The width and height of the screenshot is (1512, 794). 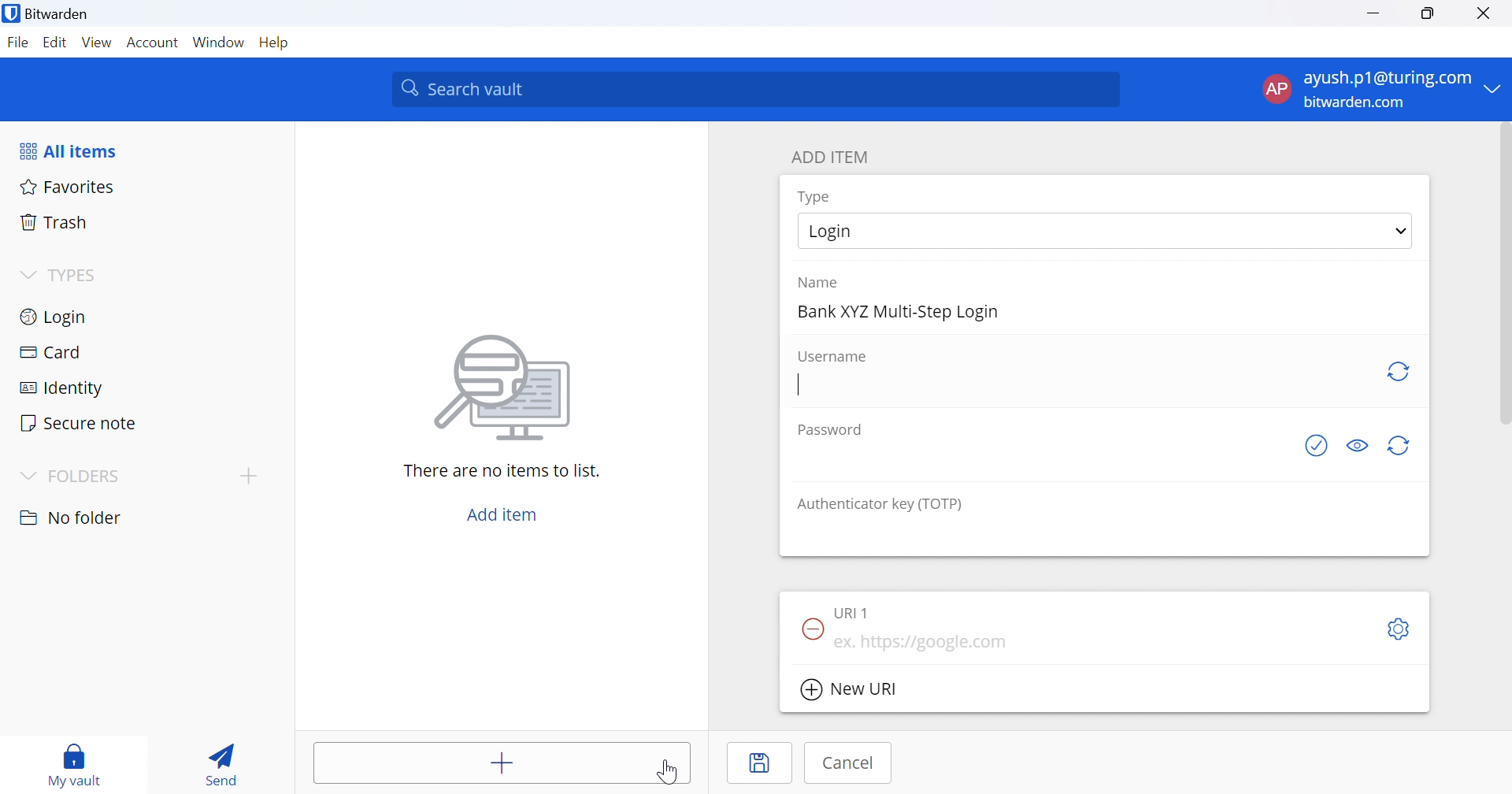 I want to click on Add item, so click(x=503, y=512).